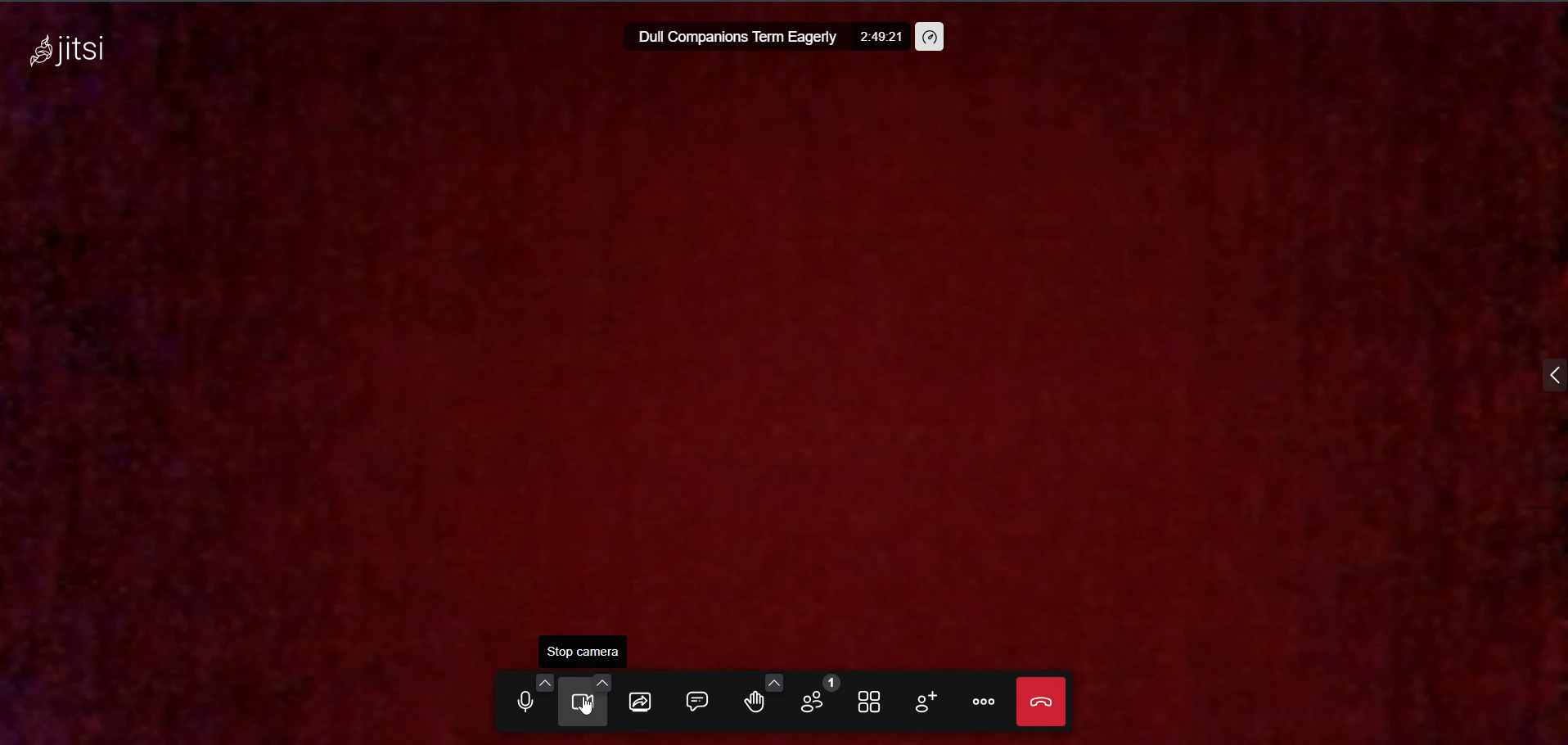 The image size is (1568, 745). Describe the element at coordinates (747, 702) in the screenshot. I see `raise hand` at that location.